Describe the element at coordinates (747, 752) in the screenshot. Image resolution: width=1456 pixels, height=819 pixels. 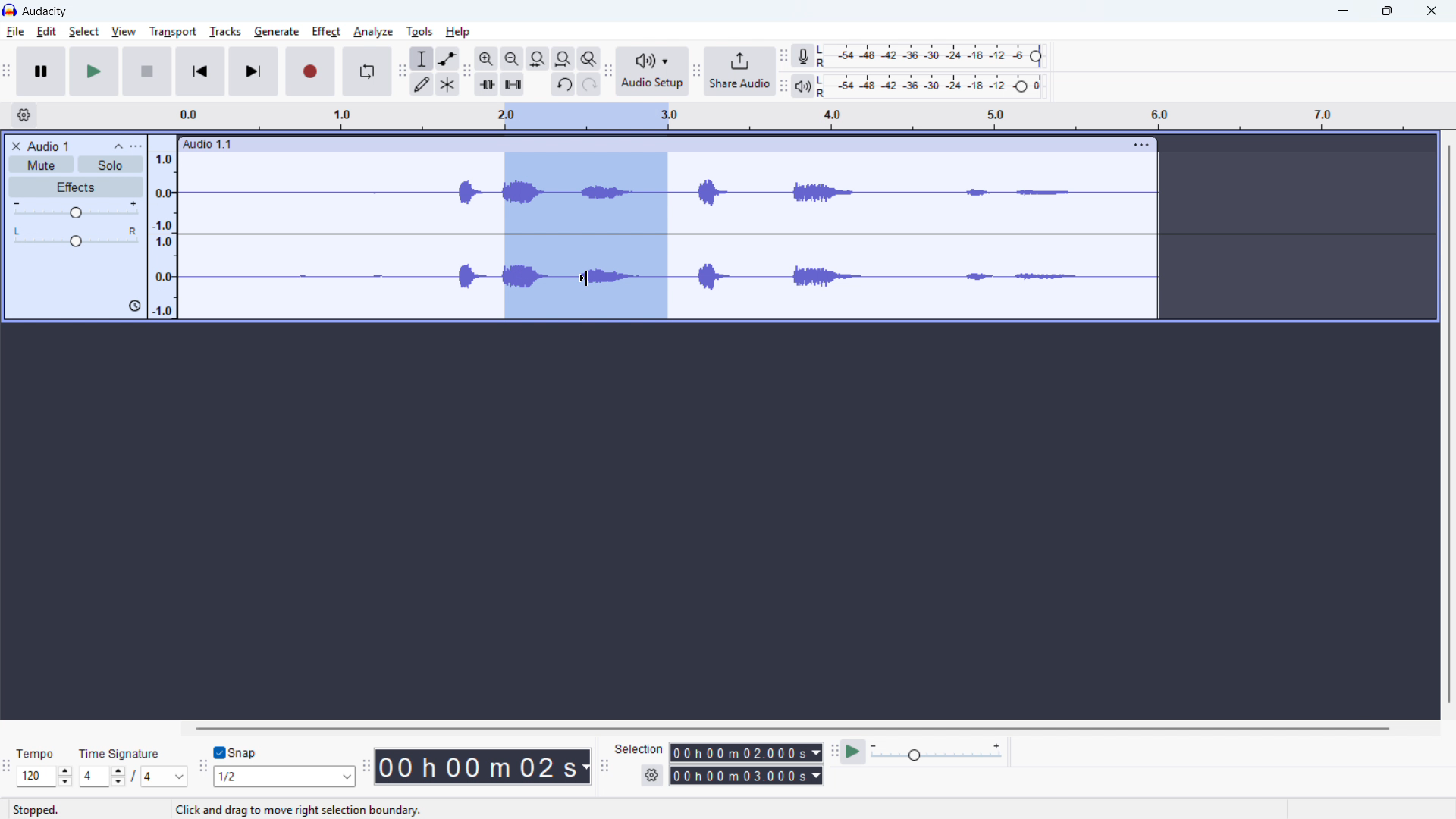
I see `Selection start time` at that location.